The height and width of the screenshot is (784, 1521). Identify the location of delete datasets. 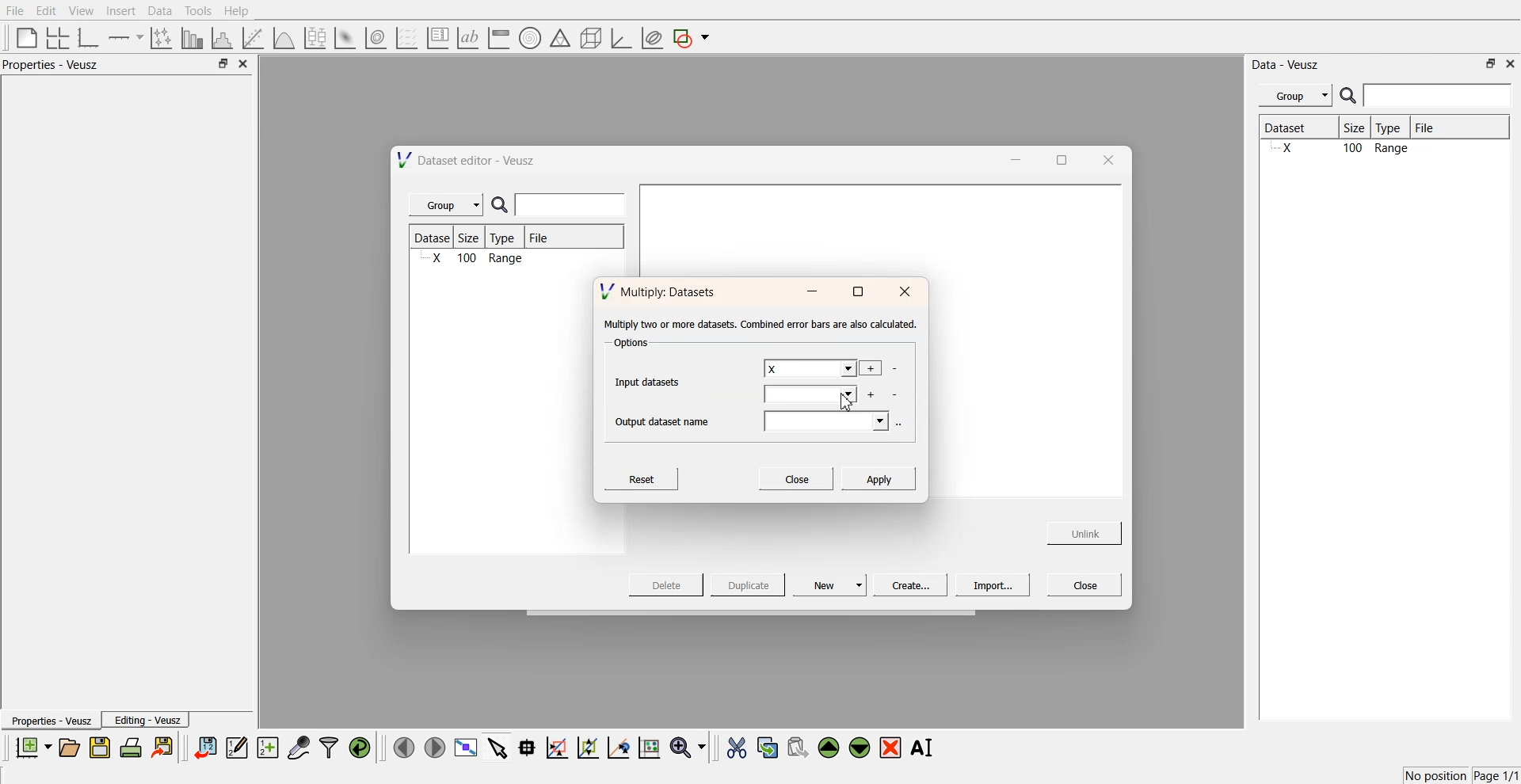
(894, 370).